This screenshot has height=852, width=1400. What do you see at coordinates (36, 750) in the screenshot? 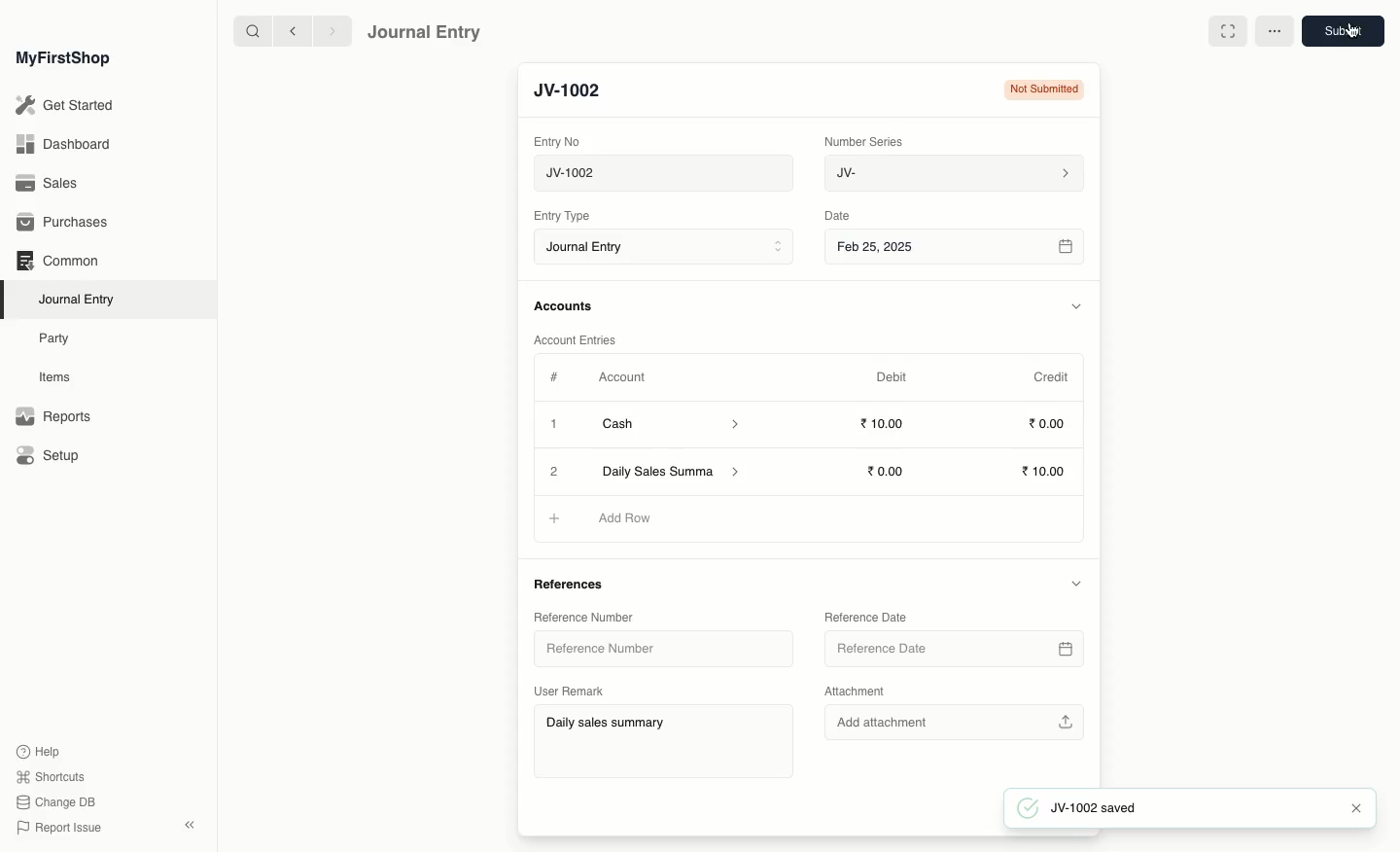
I see `Help` at bounding box center [36, 750].